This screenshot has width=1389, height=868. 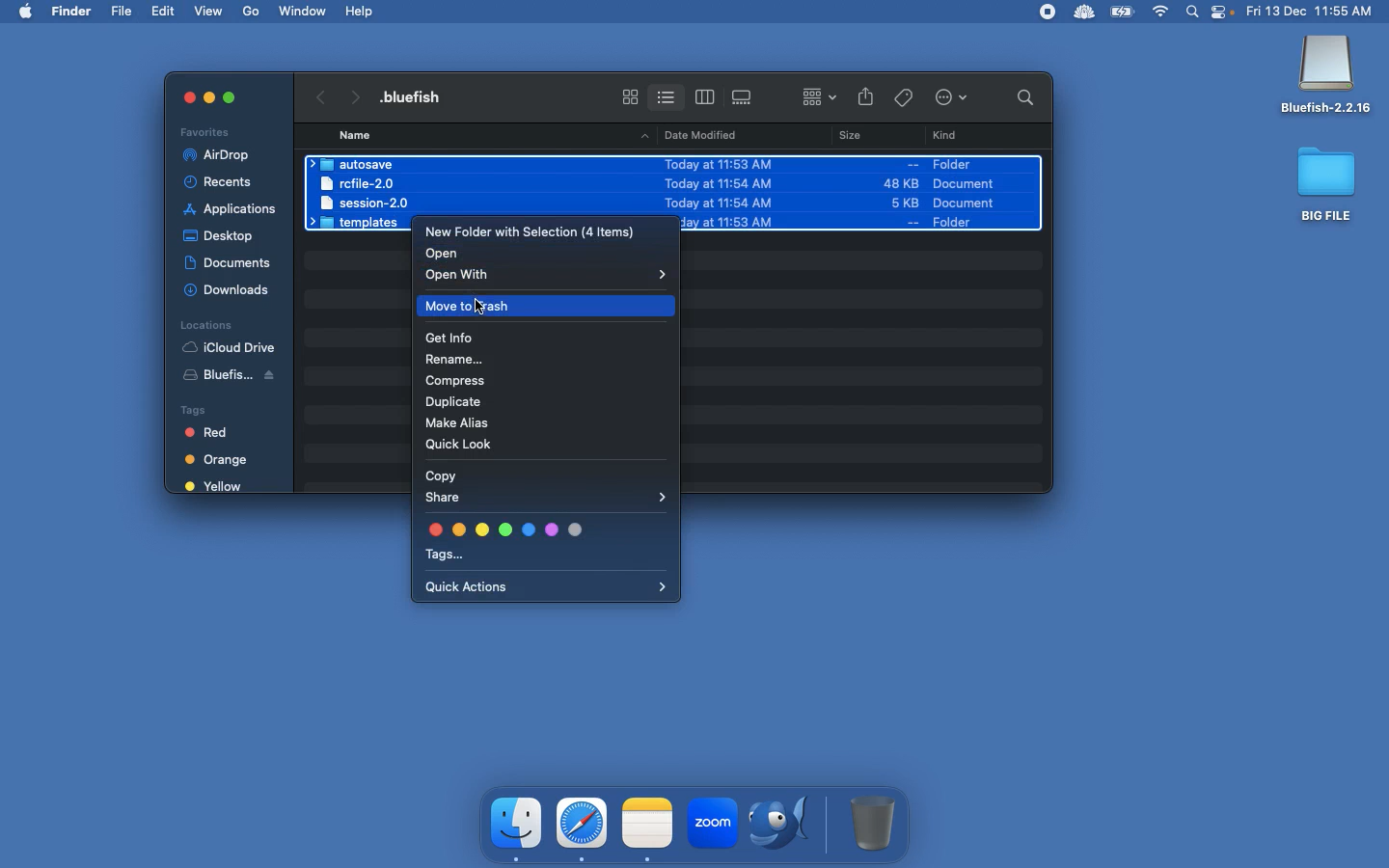 I want to click on rcfile-2.0, so click(x=360, y=182).